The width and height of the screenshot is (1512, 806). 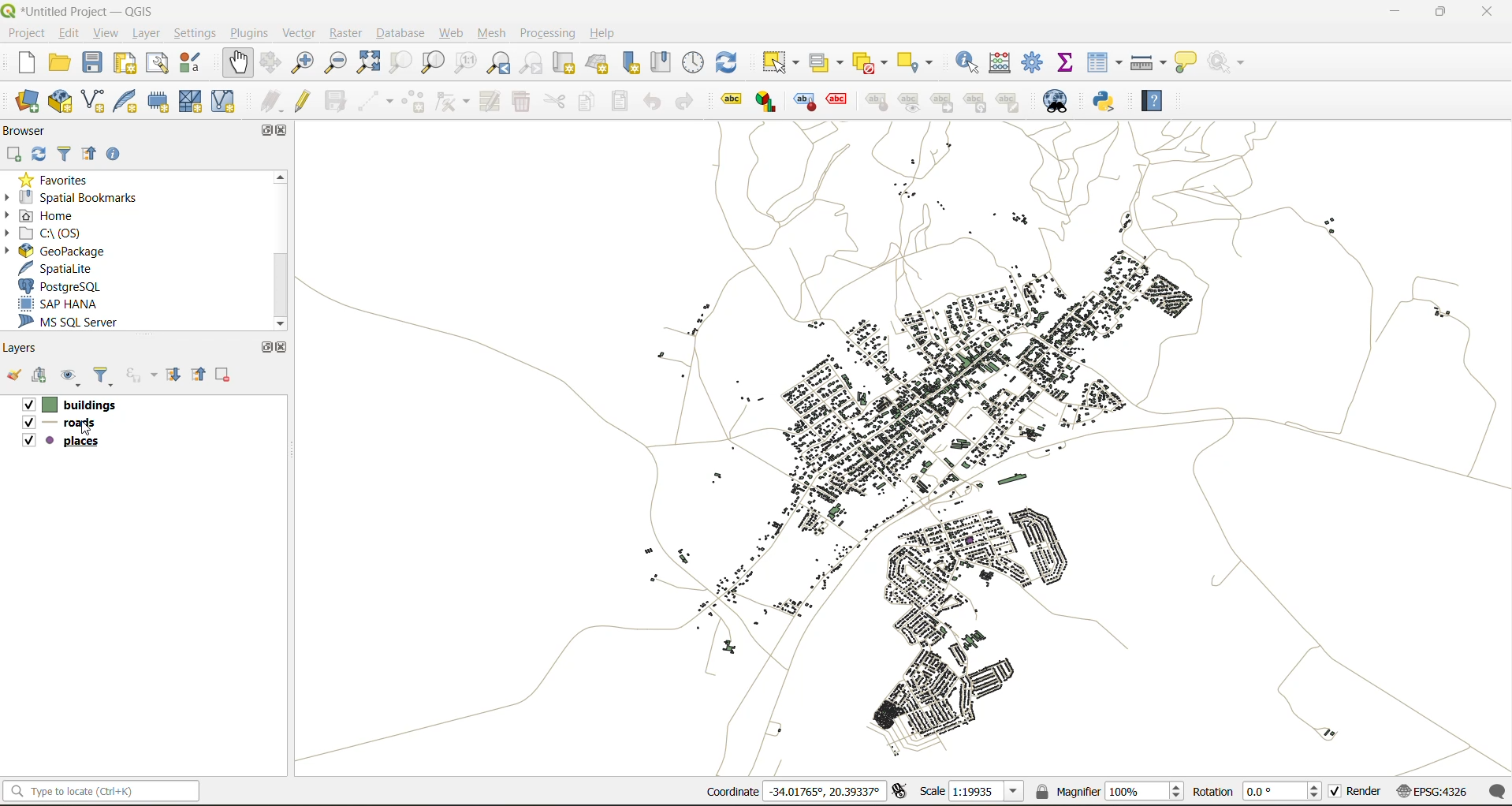 I want to click on add, so click(x=12, y=155).